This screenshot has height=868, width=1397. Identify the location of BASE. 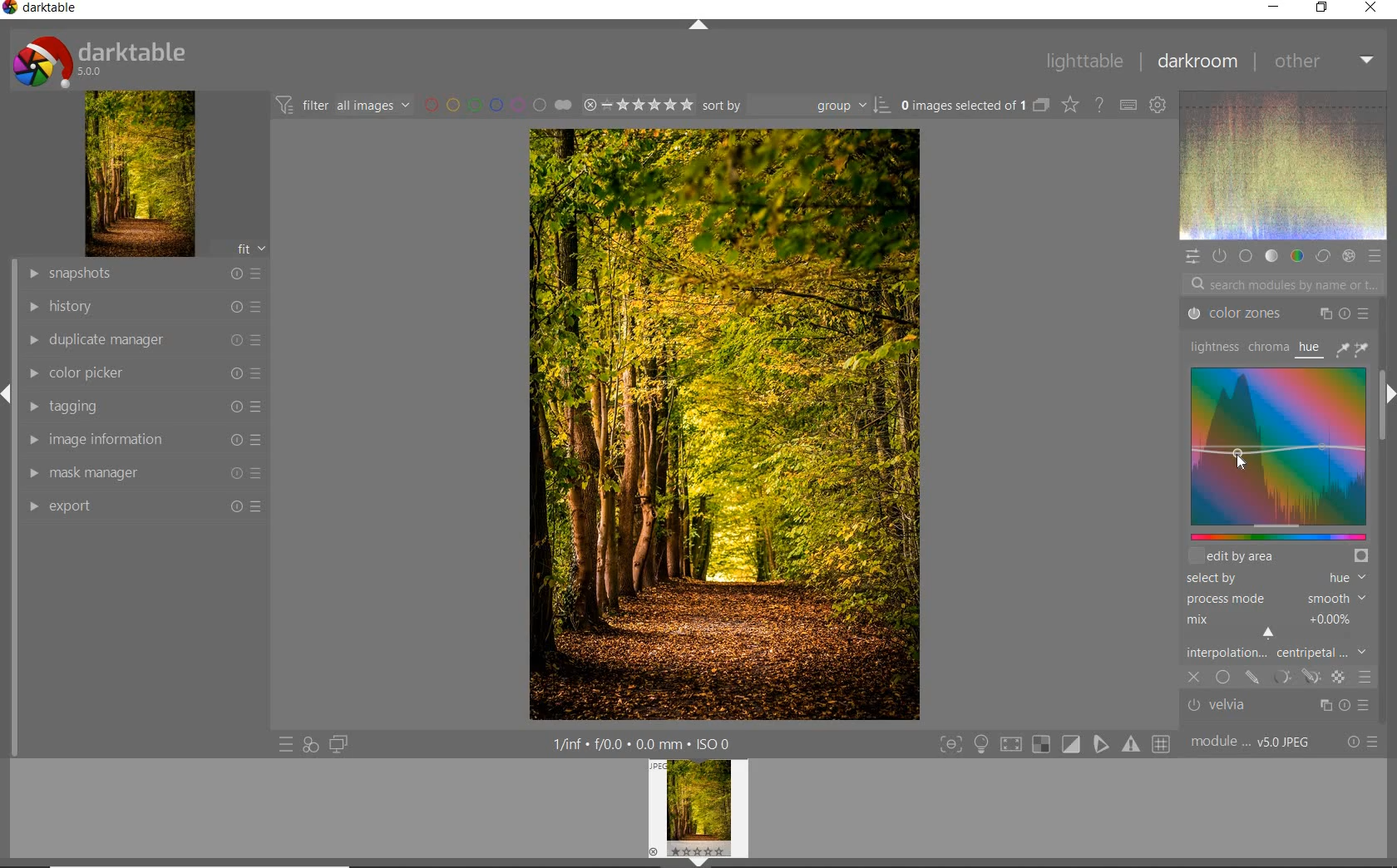
(1246, 258).